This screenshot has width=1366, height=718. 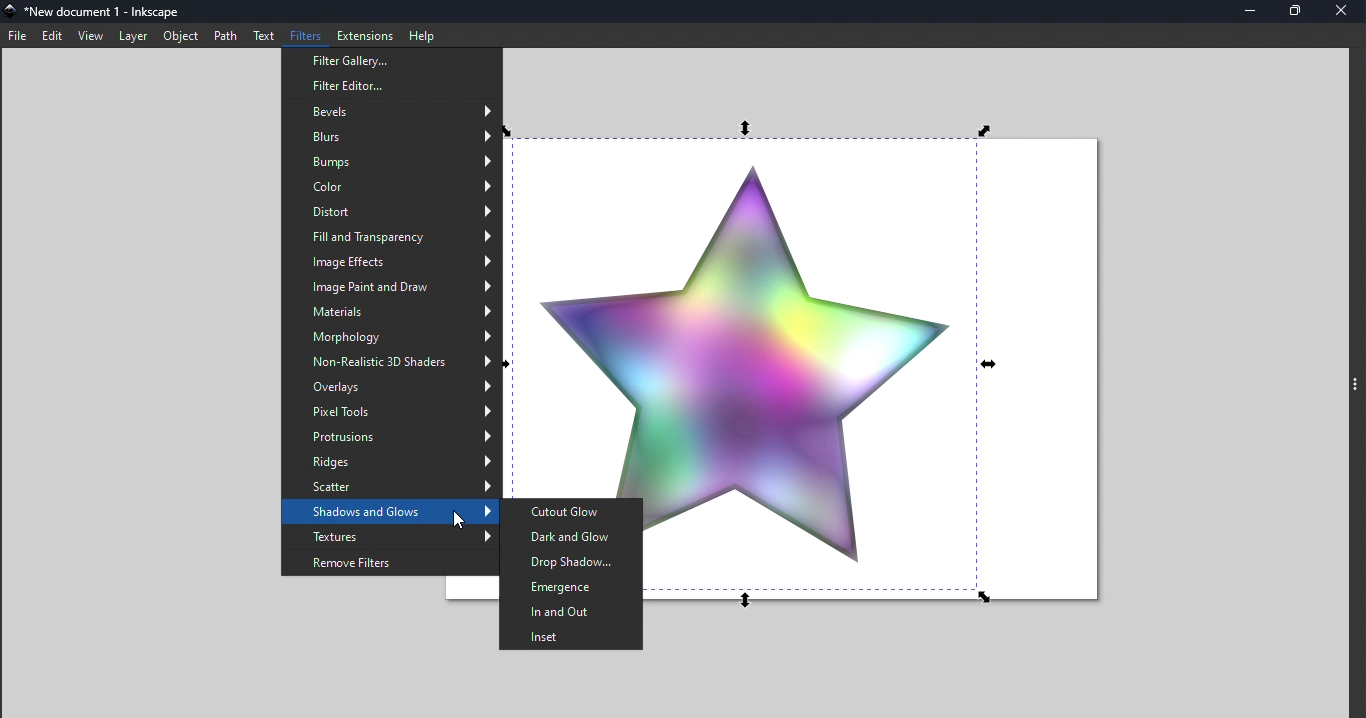 I want to click on Image paint and Draw, so click(x=390, y=287).